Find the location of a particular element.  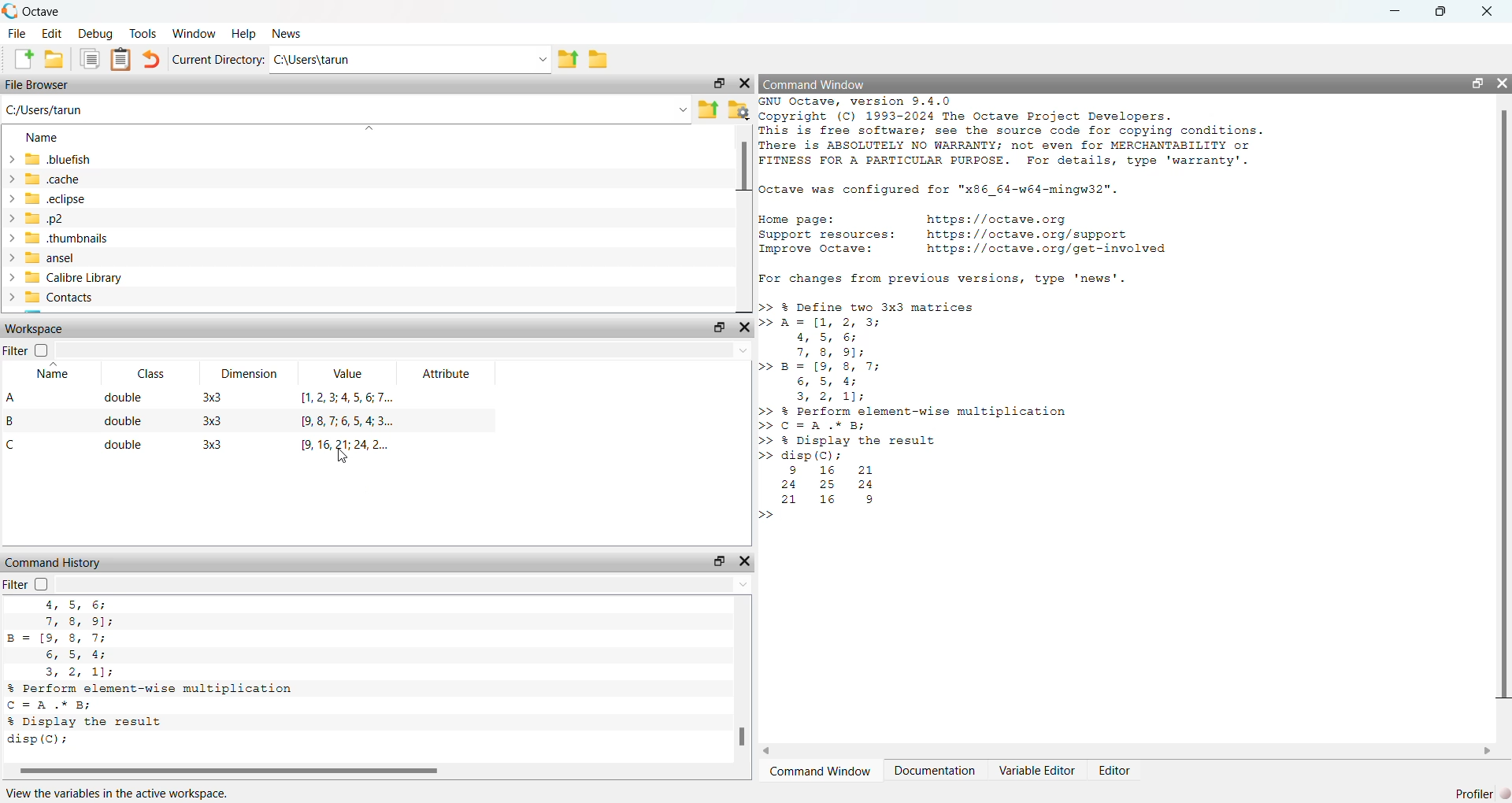

disp(C): is located at coordinates (39, 741).